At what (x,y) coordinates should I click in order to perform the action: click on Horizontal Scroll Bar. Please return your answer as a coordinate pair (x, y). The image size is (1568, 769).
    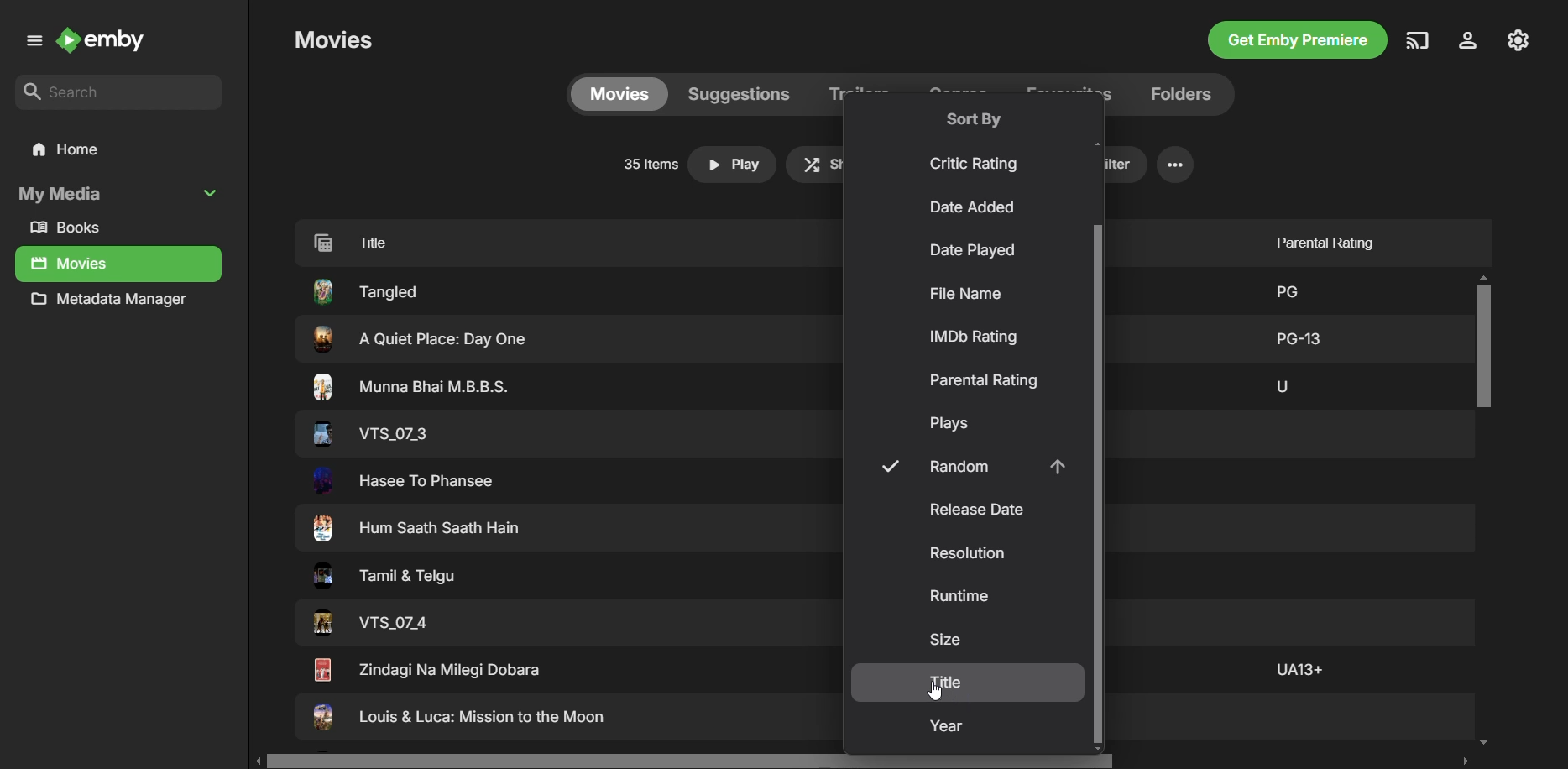
    Looking at the image, I should click on (867, 761).